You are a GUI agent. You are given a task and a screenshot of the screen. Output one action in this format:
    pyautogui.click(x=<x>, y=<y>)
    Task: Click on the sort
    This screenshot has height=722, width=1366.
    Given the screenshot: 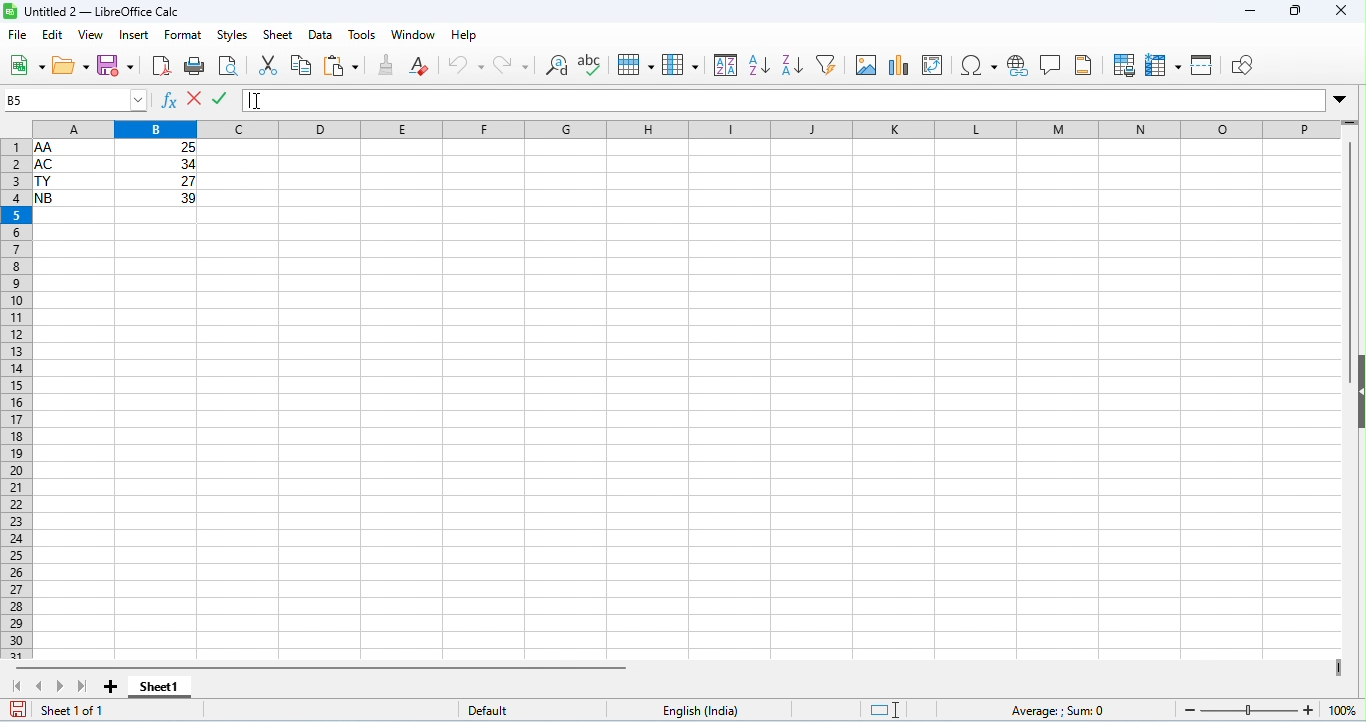 What is the action you would take?
    pyautogui.click(x=727, y=65)
    